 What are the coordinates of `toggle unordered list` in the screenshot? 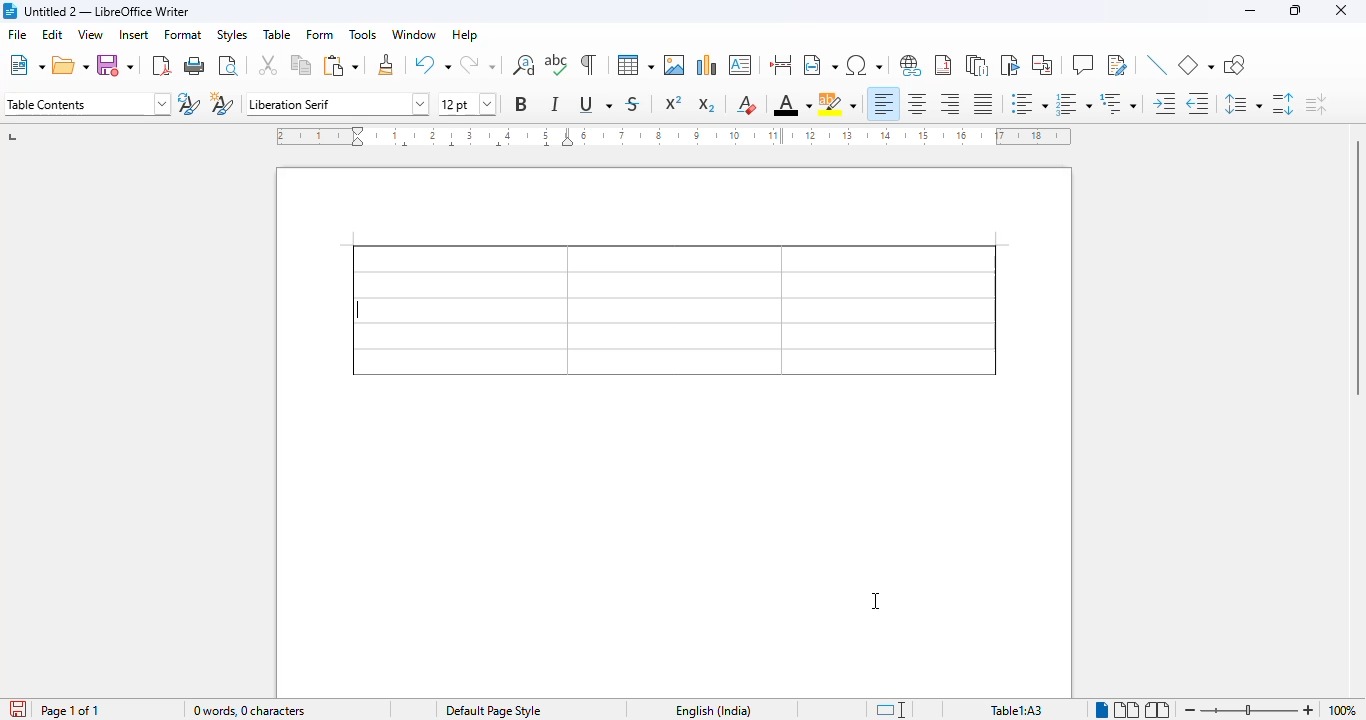 It's located at (1030, 103).